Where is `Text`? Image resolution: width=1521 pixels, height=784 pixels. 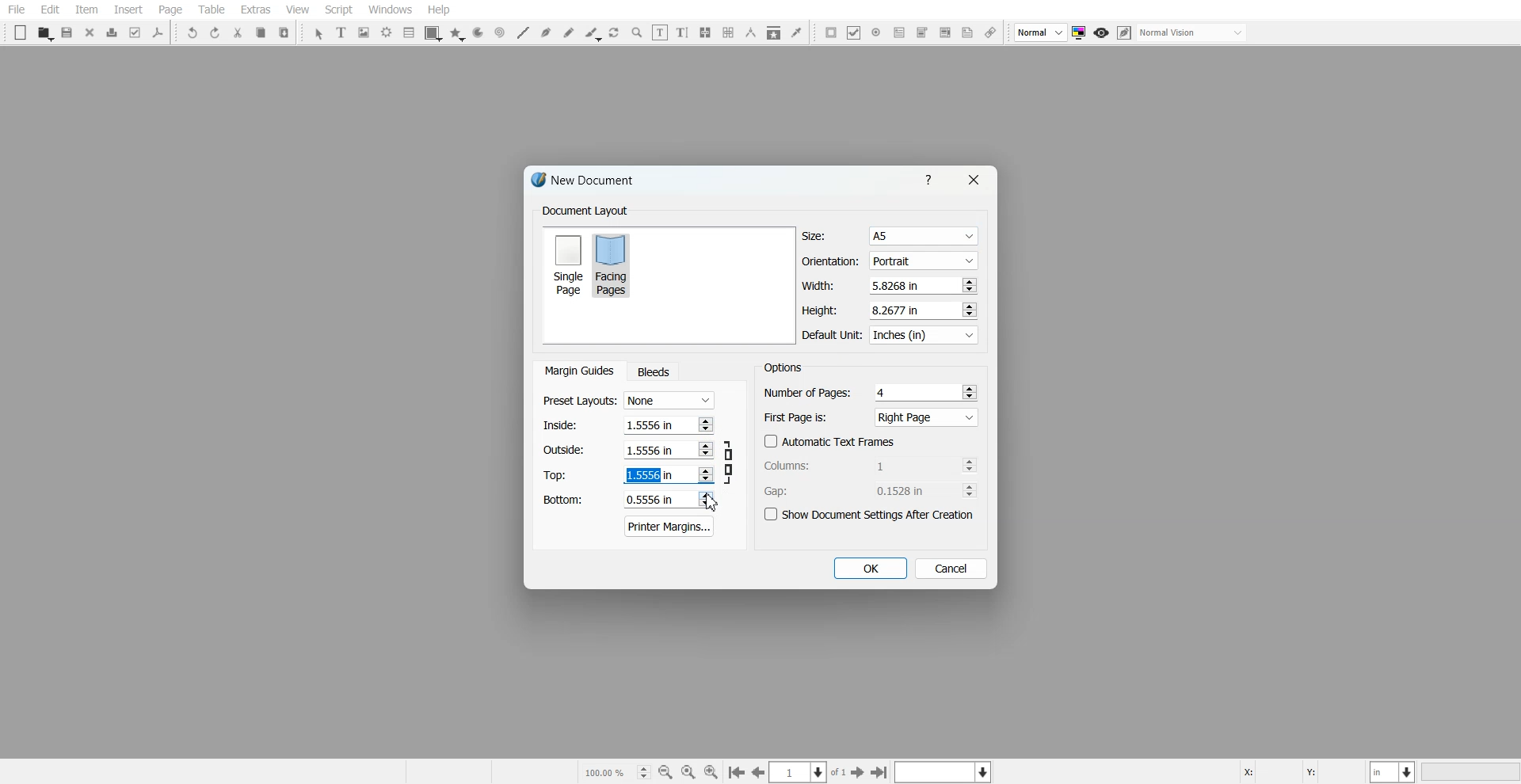
Text is located at coordinates (783, 367).